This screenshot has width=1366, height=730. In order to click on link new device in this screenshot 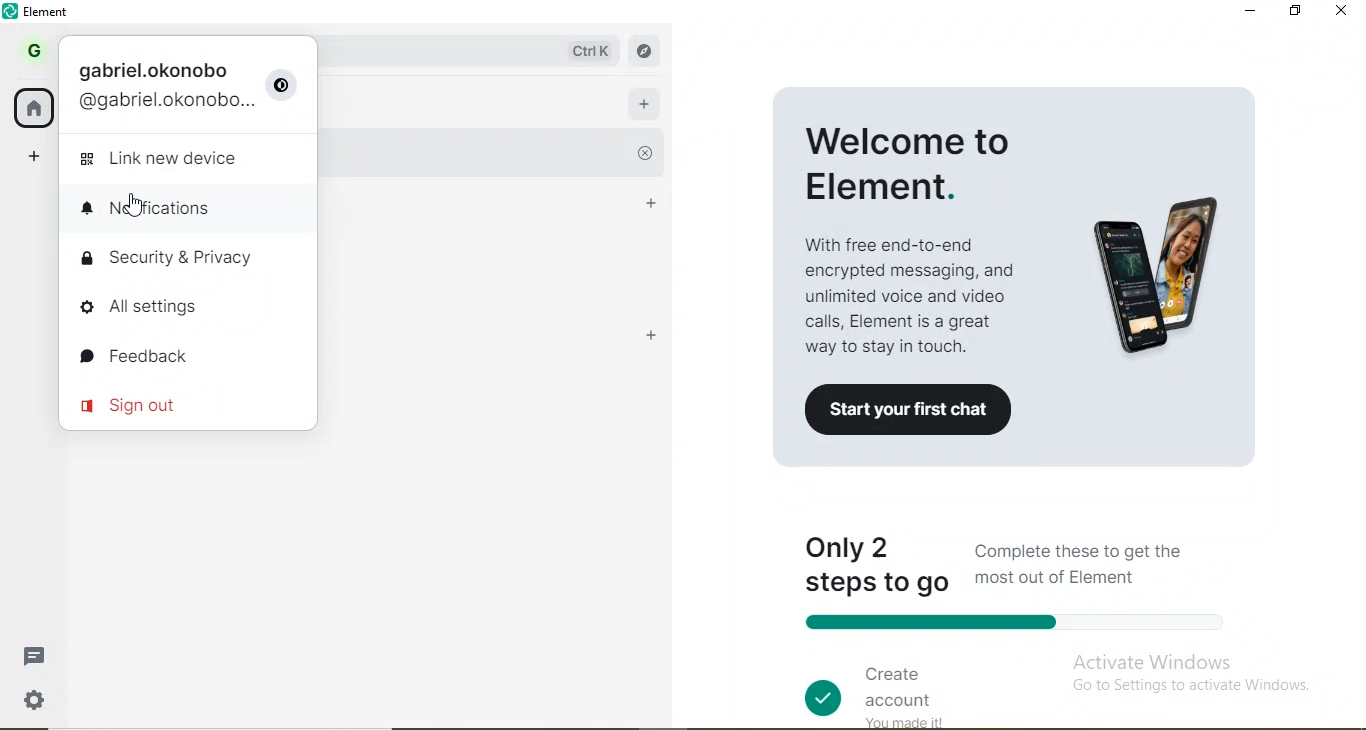, I will do `click(189, 159)`.